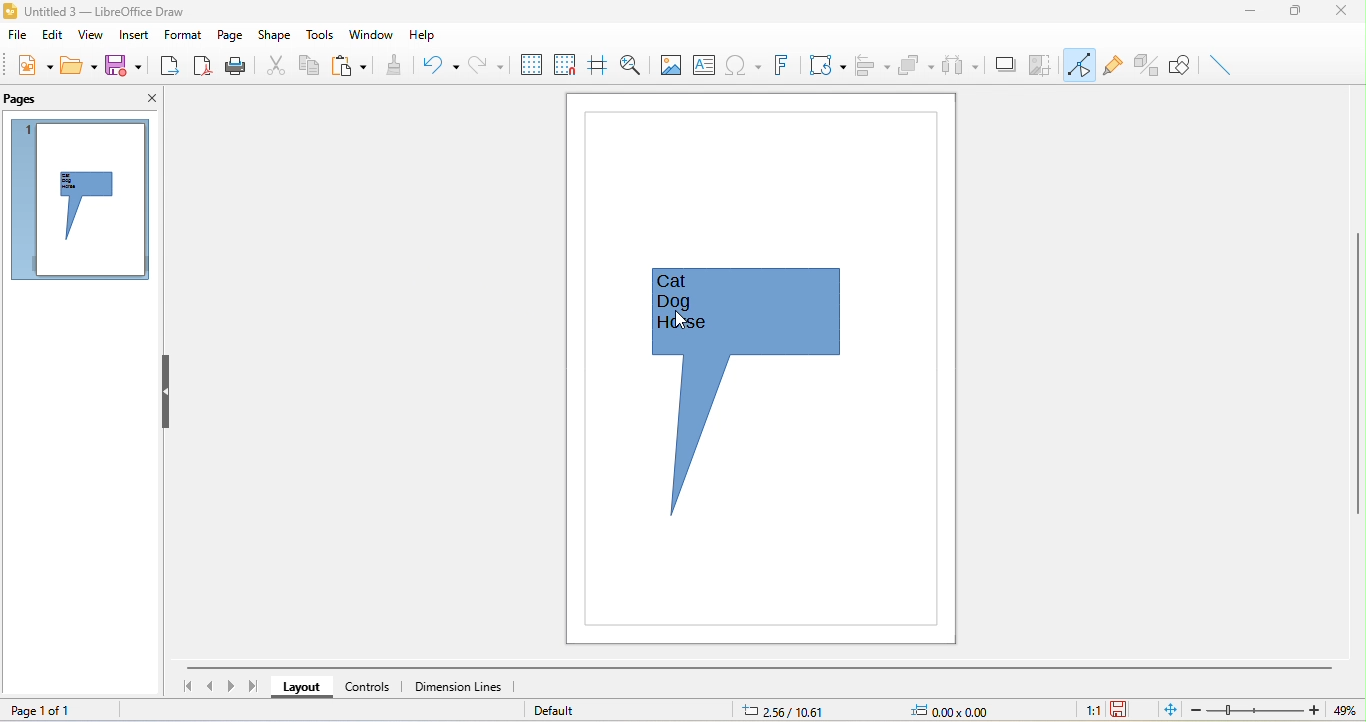 This screenshot has width=1366, height=722. I want to click on minimize, so click(1250, 12).